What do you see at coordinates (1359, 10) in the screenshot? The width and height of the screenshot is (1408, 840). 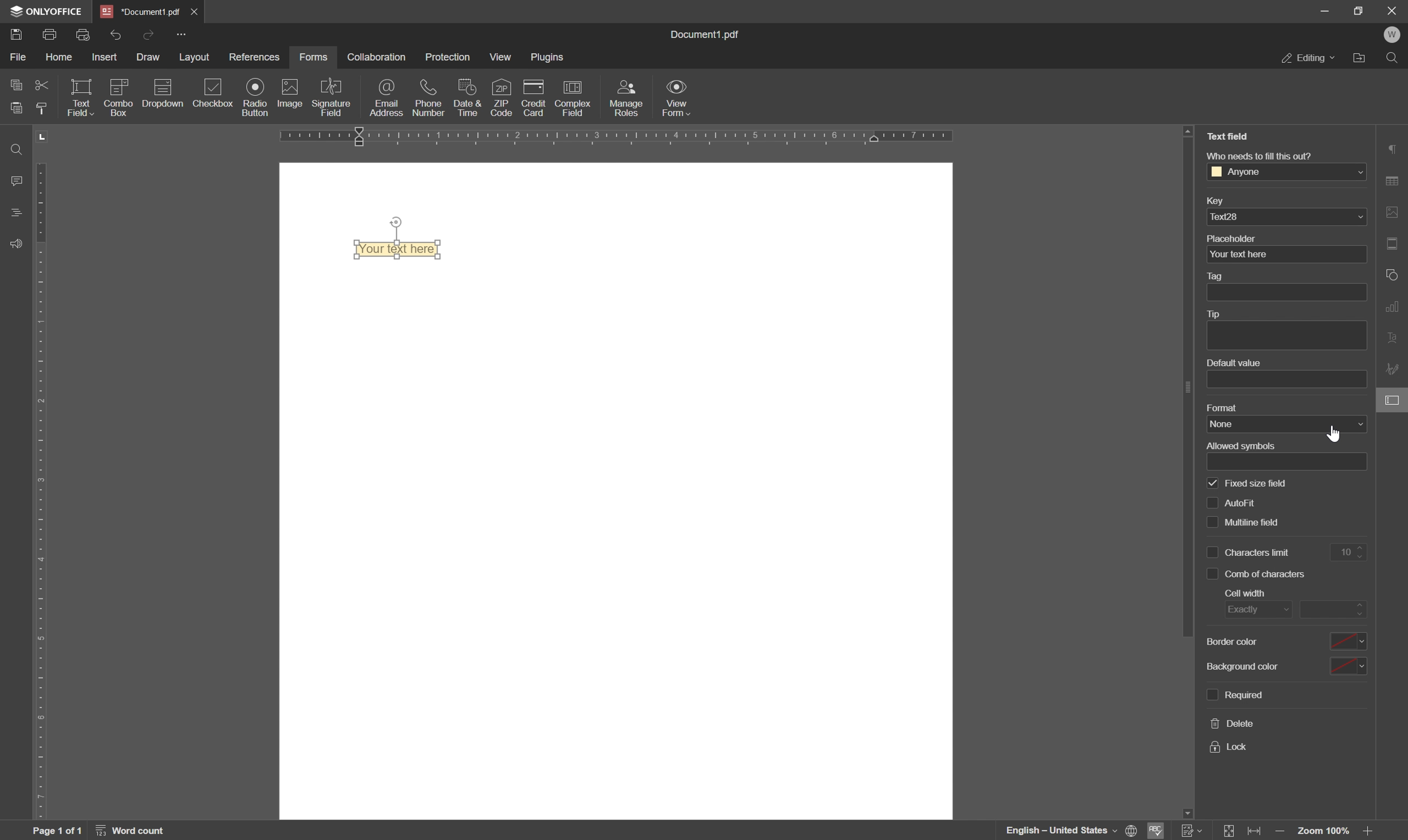 I see `restore down` at bounding box center [1359, 10].